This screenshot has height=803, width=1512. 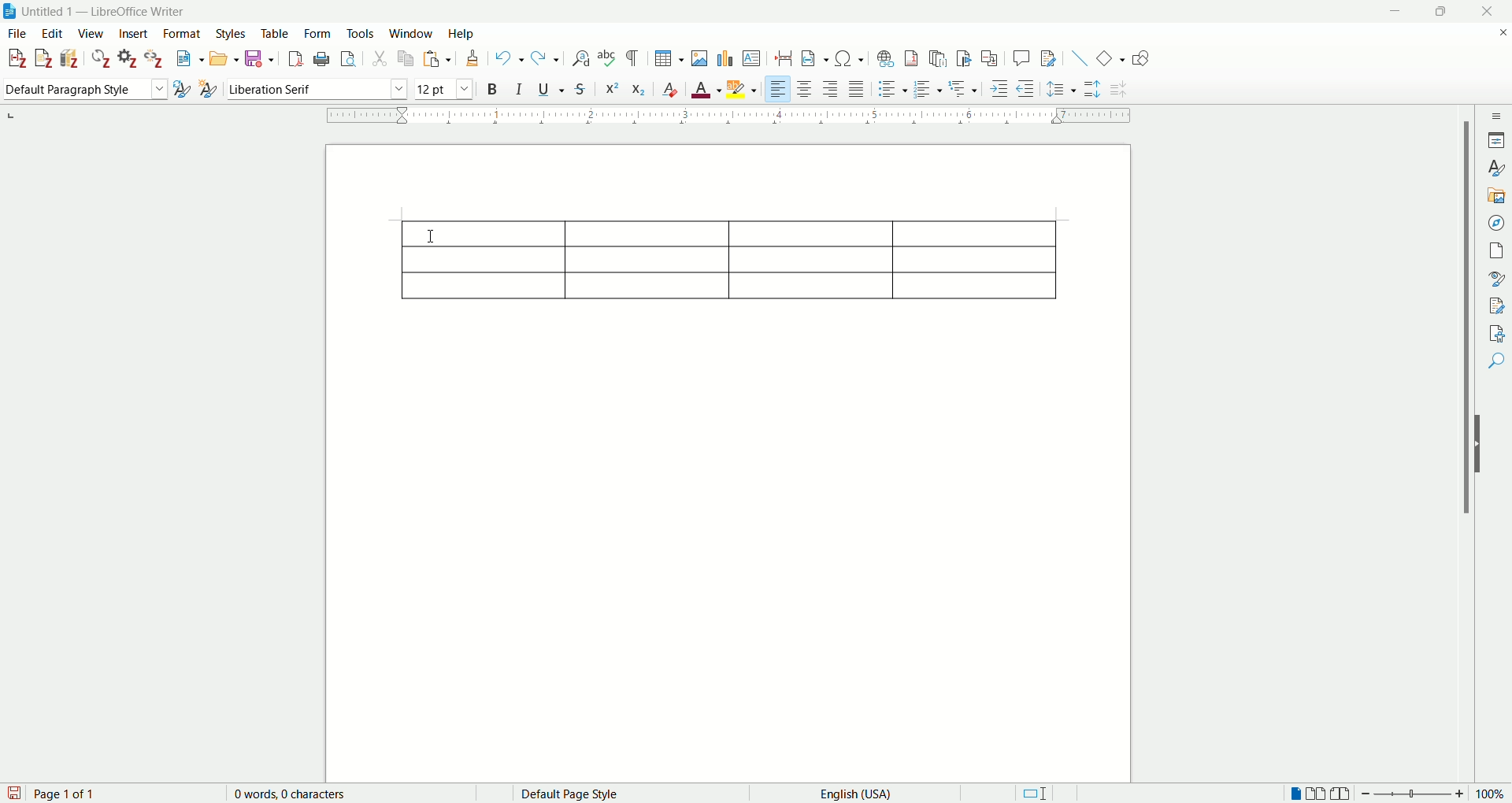 I want to click on window, so click(x=411, y=35).